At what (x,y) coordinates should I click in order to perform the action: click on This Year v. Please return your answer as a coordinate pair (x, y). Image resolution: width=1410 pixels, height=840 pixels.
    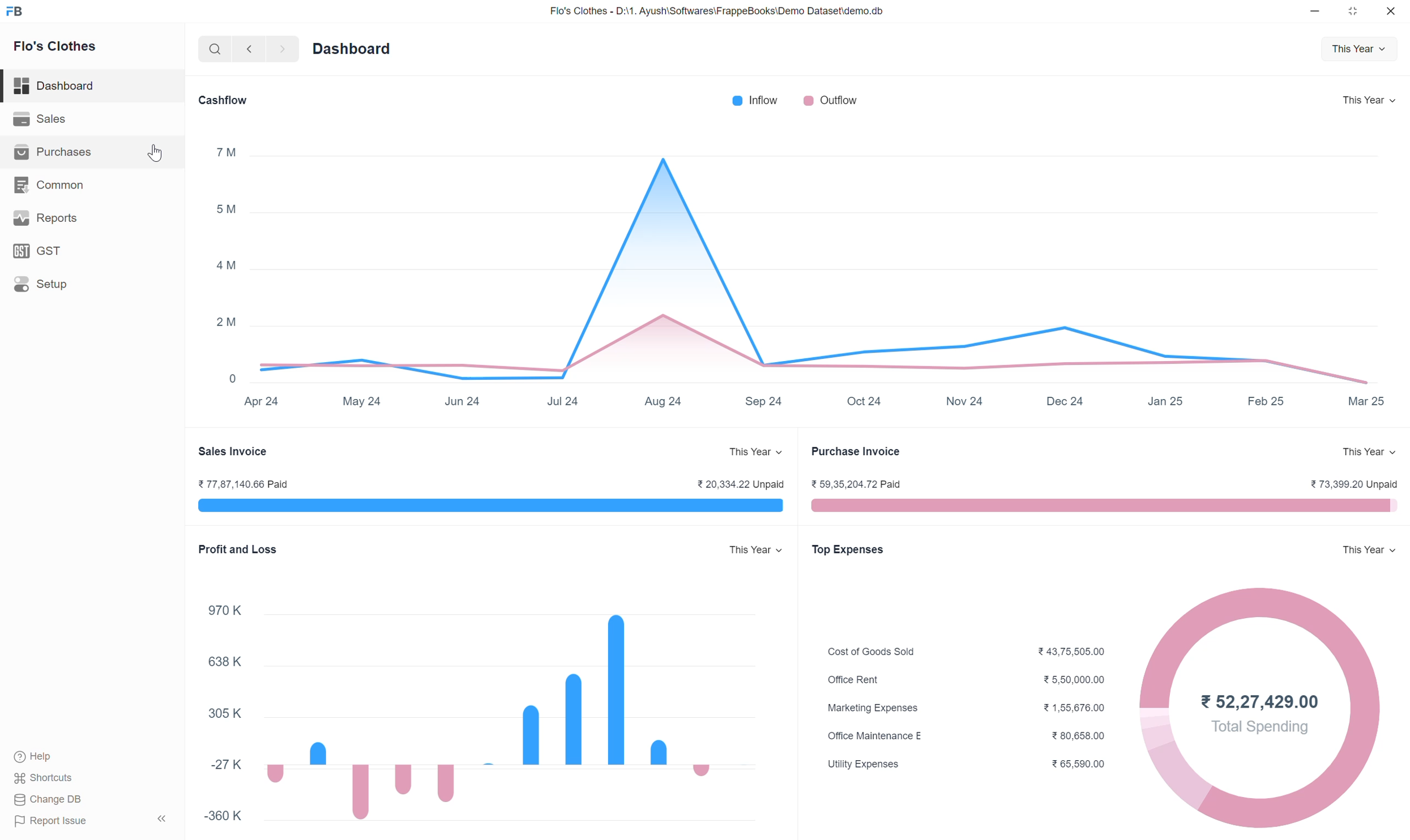
    Looking at the image, I should click on (1367, 98).